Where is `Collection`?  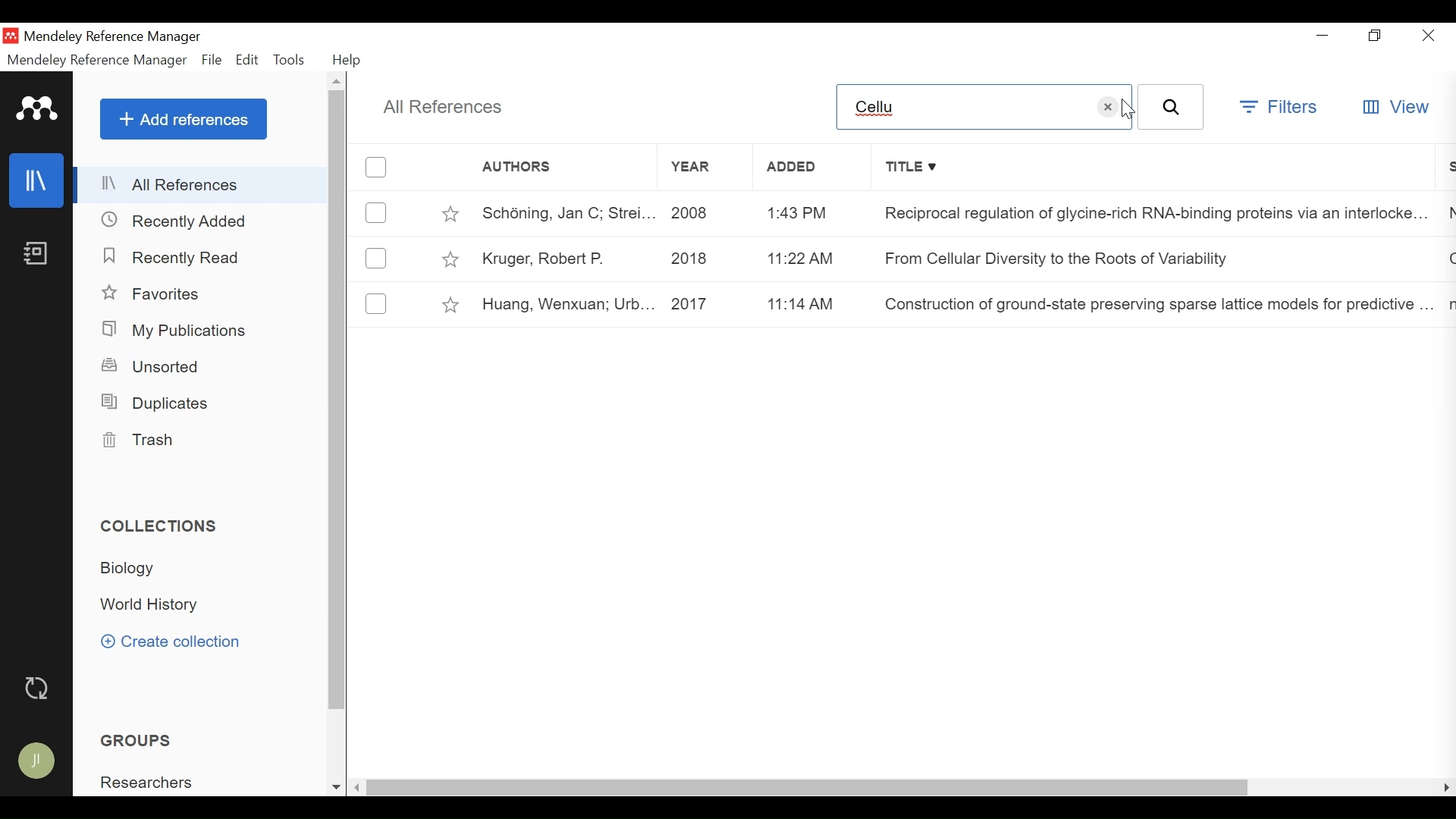
Collection is located at coordinates (162, 526).